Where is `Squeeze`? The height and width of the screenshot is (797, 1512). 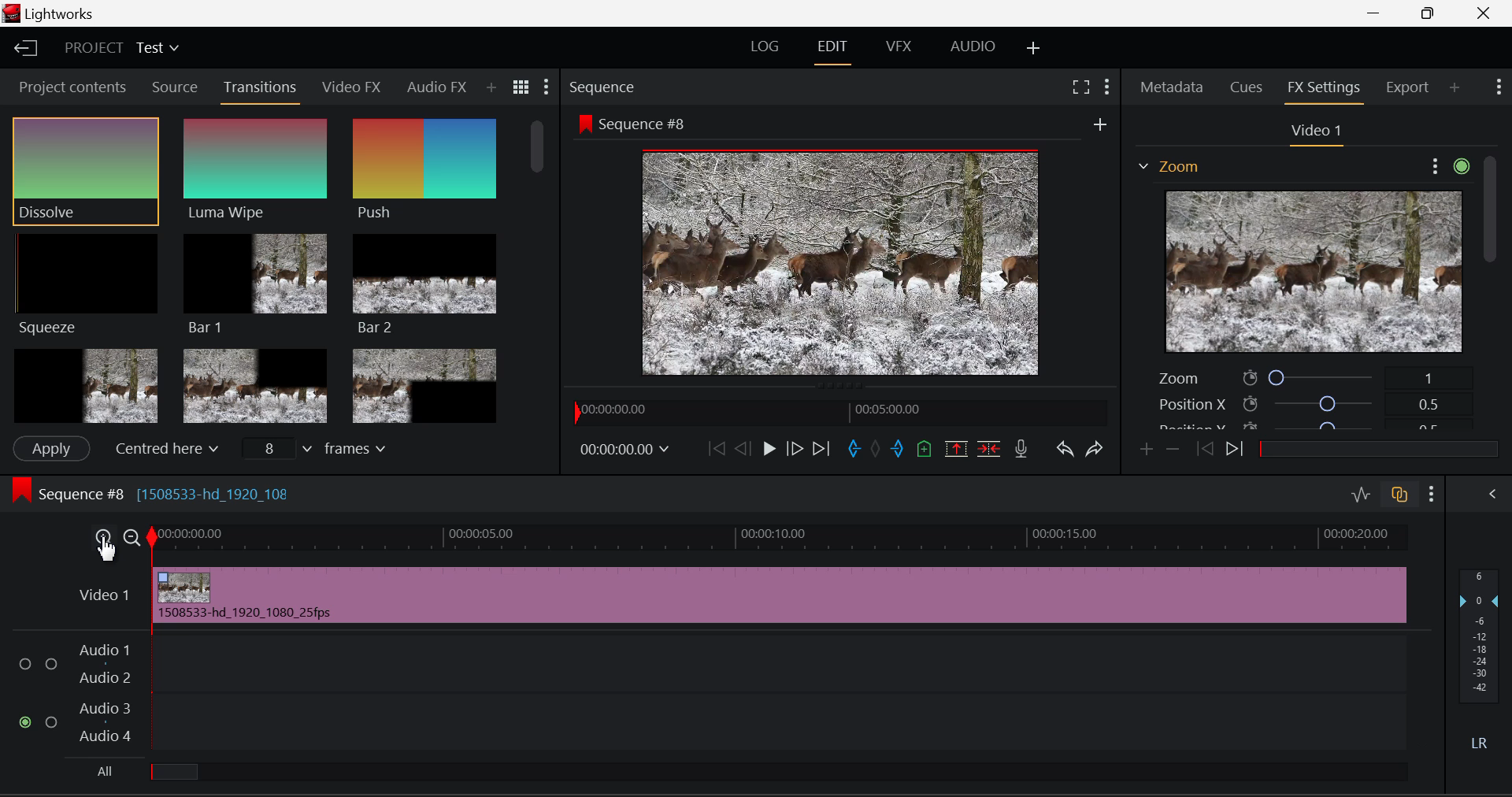
Squeeze is located at coordinates (85, 284).